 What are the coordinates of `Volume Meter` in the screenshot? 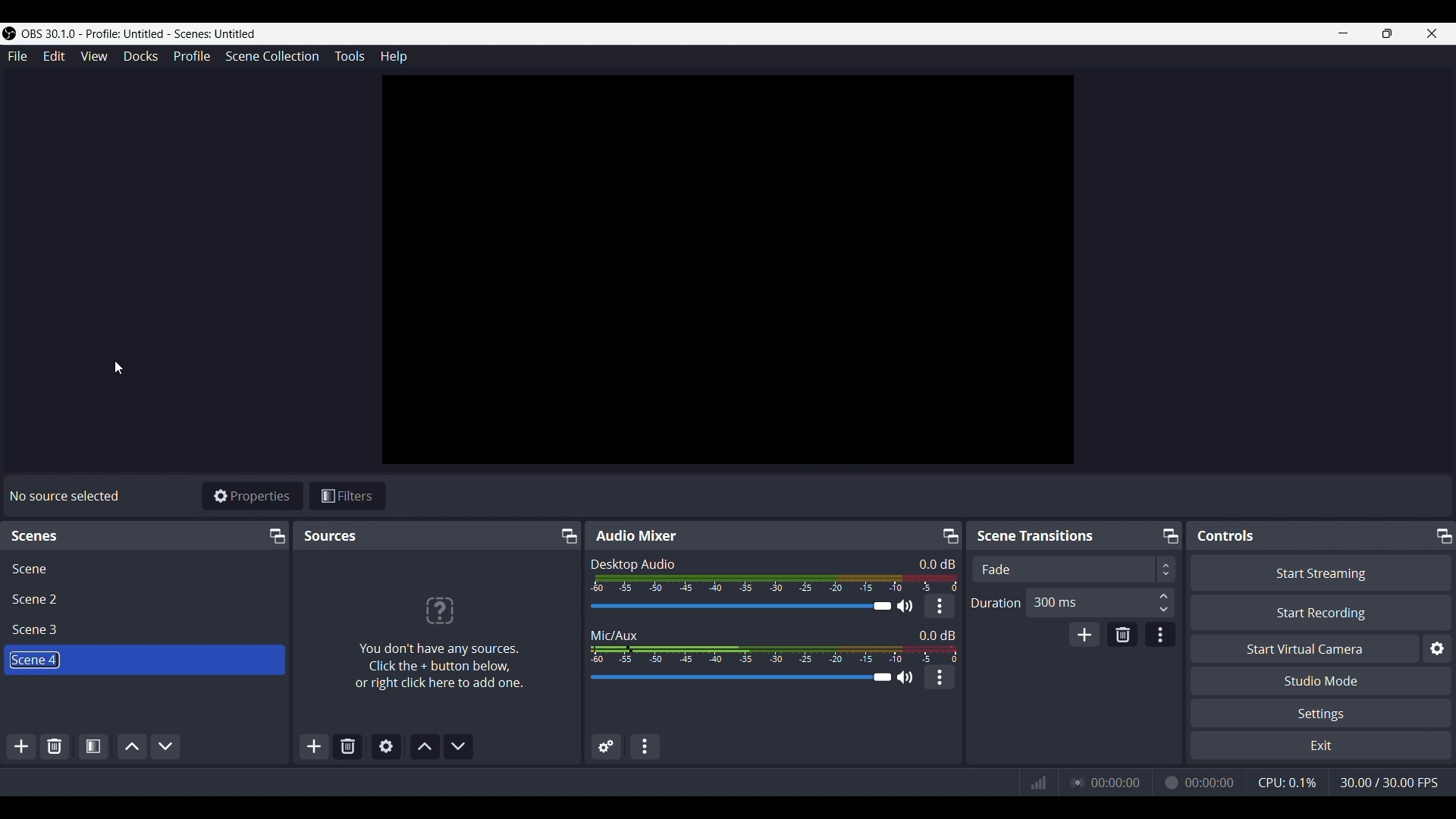 It's located at (777, 583).